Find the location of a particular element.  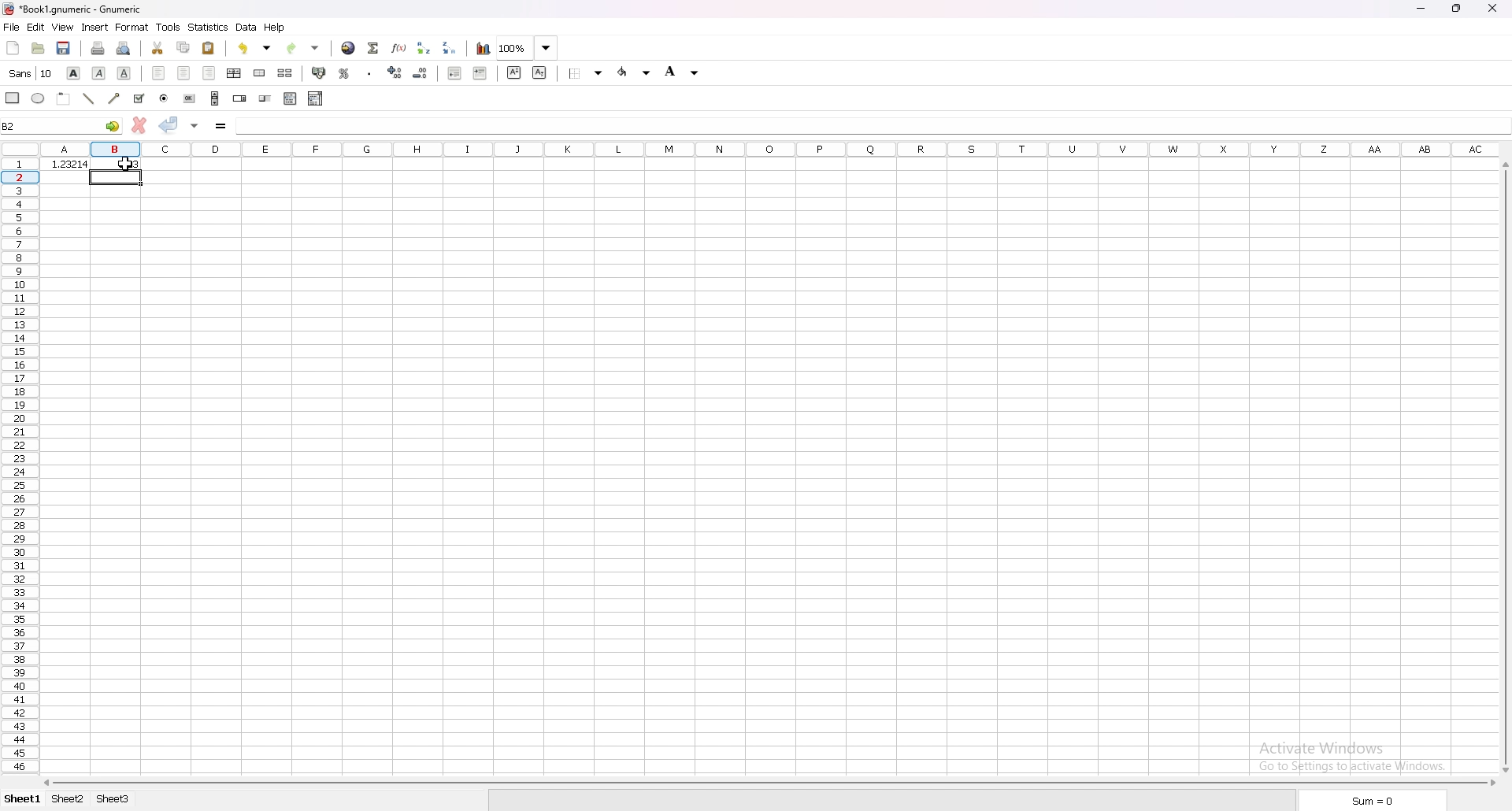

sum is located at coordinates (1371, 799).